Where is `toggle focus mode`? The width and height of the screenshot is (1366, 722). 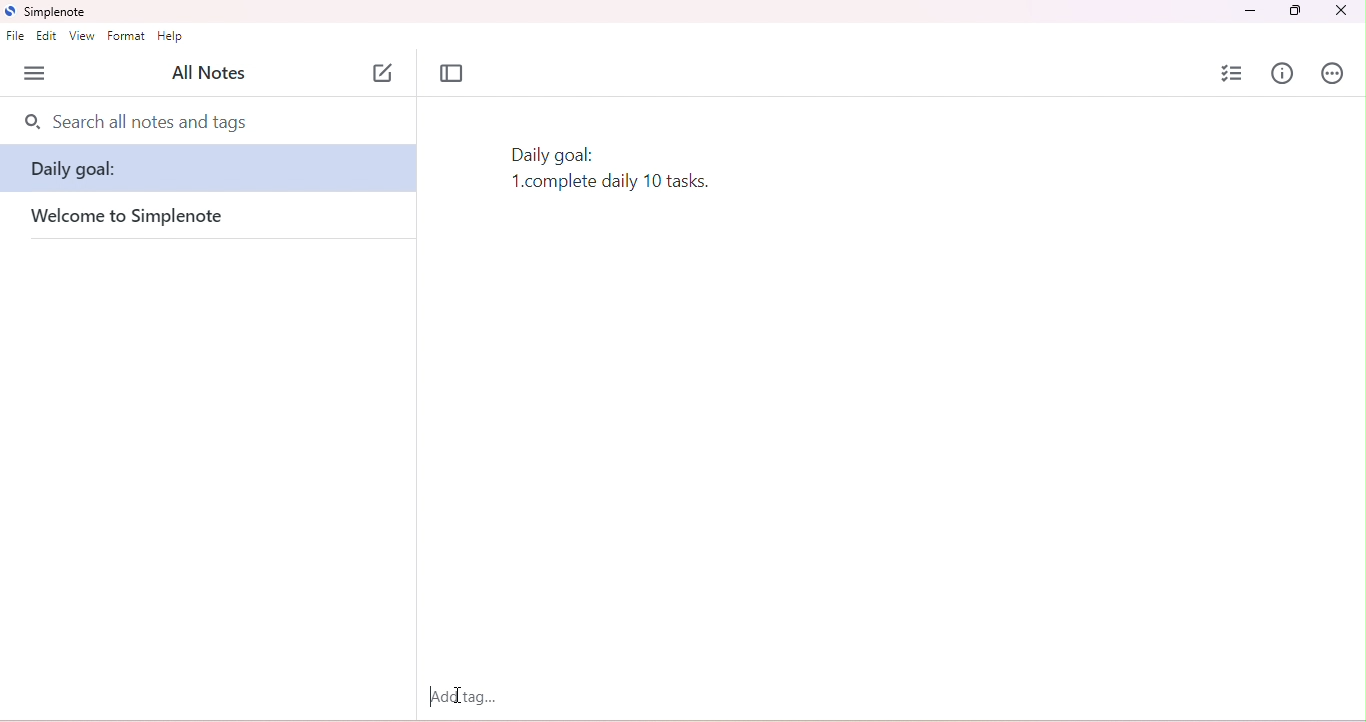 toggle focus mode is located at coordinates (454, 74).